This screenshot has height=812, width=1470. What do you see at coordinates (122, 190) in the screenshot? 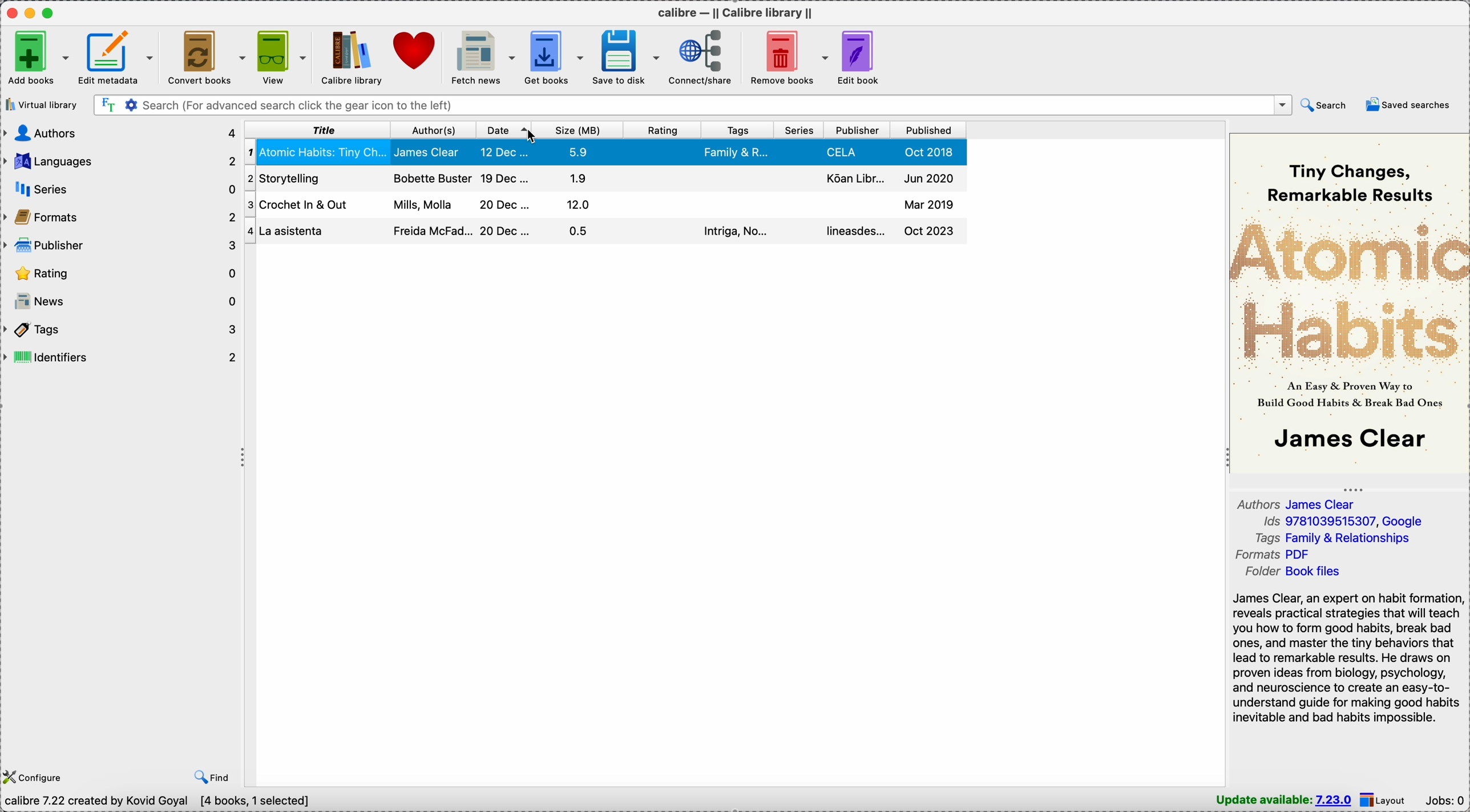
I see `series` at bounding box center [122, 190].